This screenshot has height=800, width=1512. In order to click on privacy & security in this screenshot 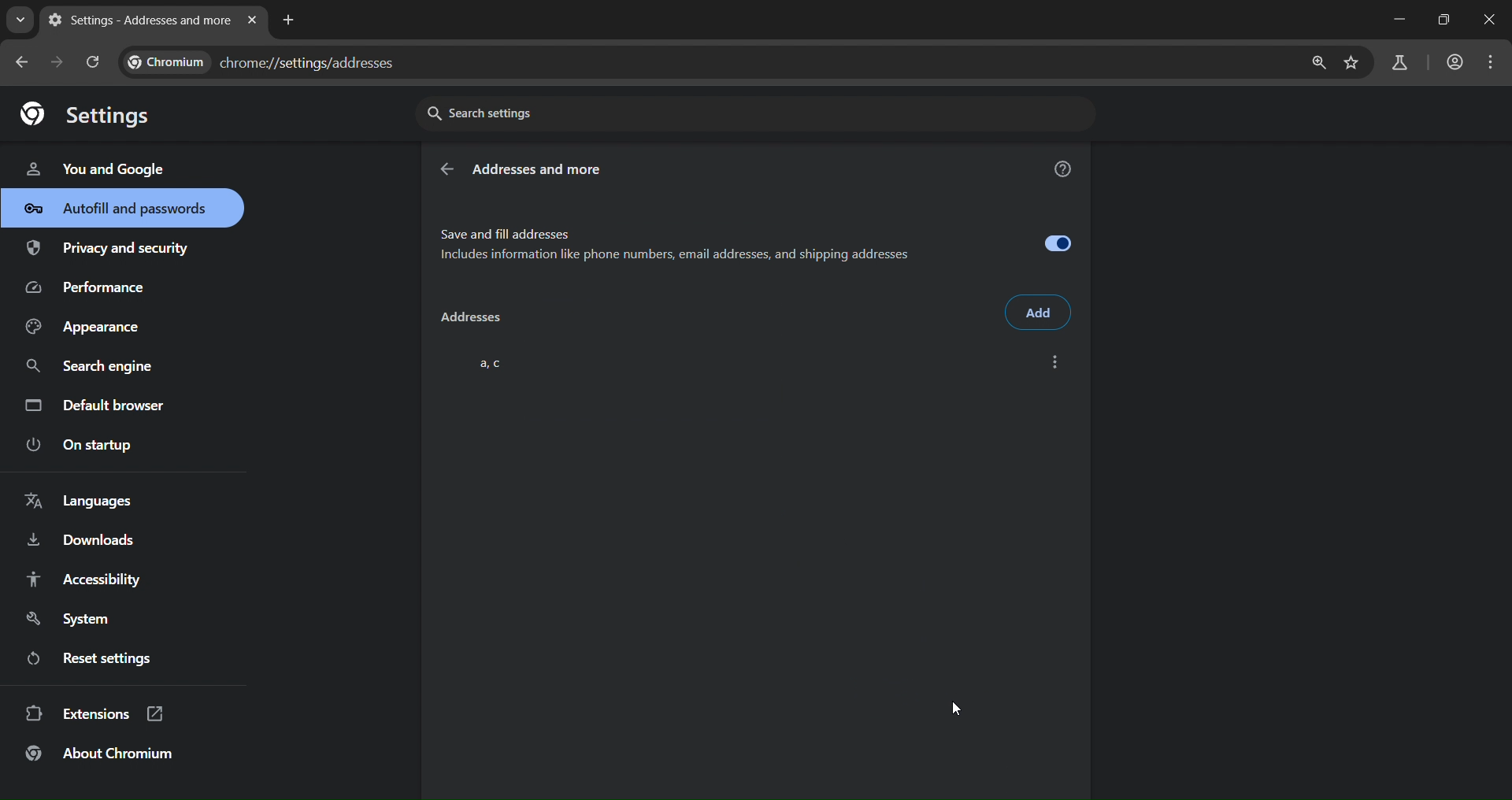, I will do `click(108, 251)`.